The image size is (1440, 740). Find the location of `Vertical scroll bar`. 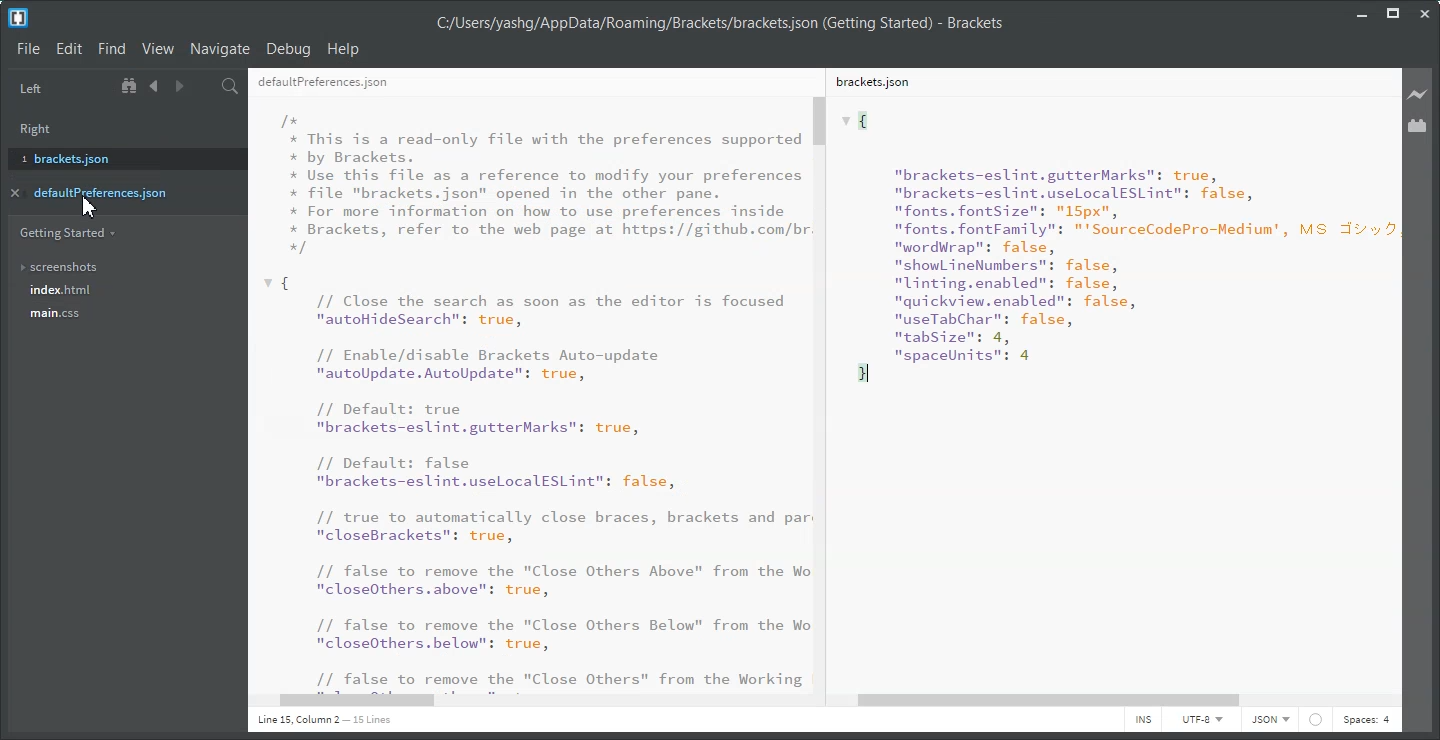

Vertical scroll bar is located at coordinates (1395, 378).